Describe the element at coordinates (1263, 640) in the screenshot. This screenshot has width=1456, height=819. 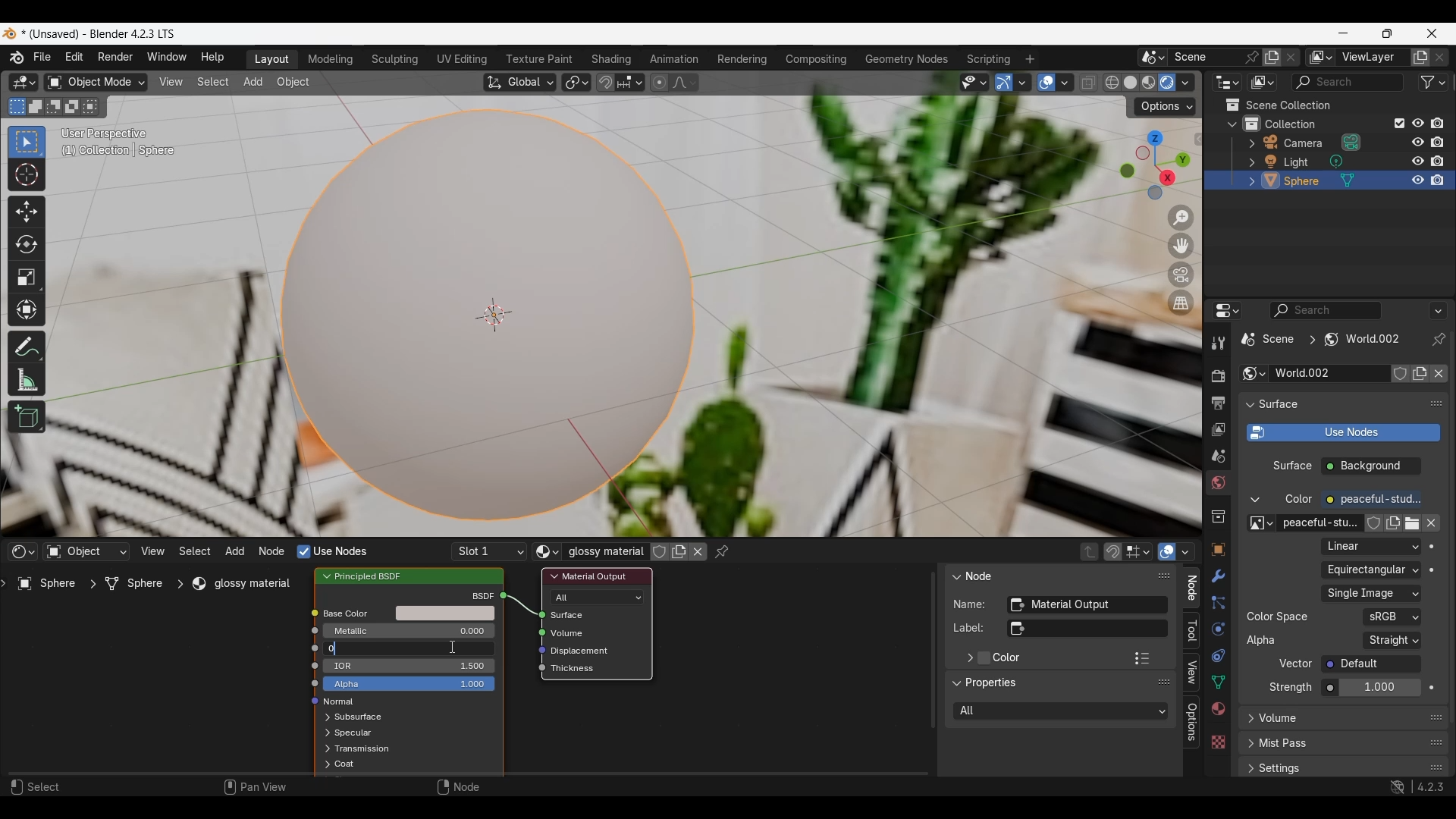
I see `Alpha` at that location.